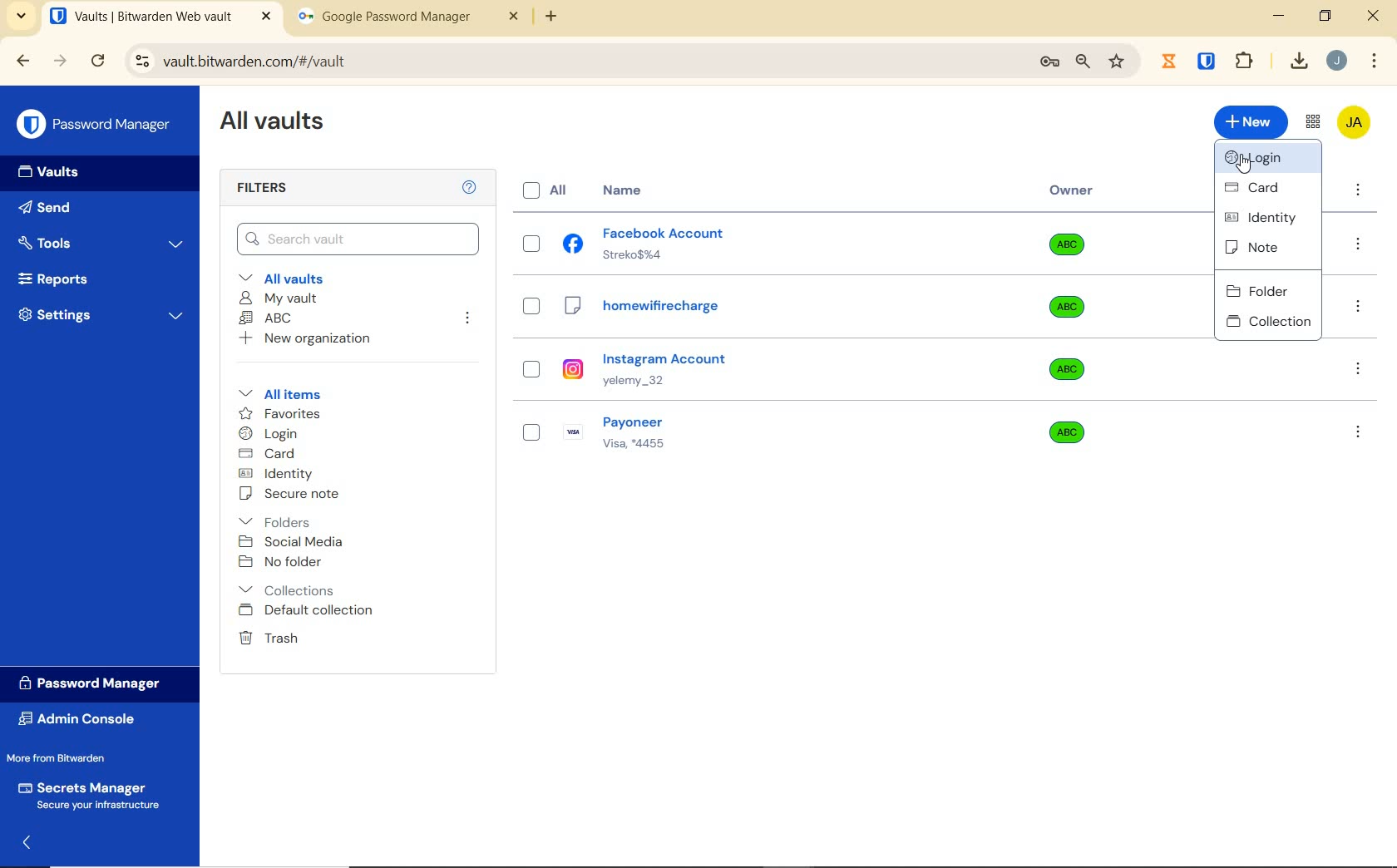 Image resolution: width=1397 pixels, height=868 pixels. What do you see at coordinates (534, 311) in the screenshot?
I see `check box` at bounding box center [534, 311].